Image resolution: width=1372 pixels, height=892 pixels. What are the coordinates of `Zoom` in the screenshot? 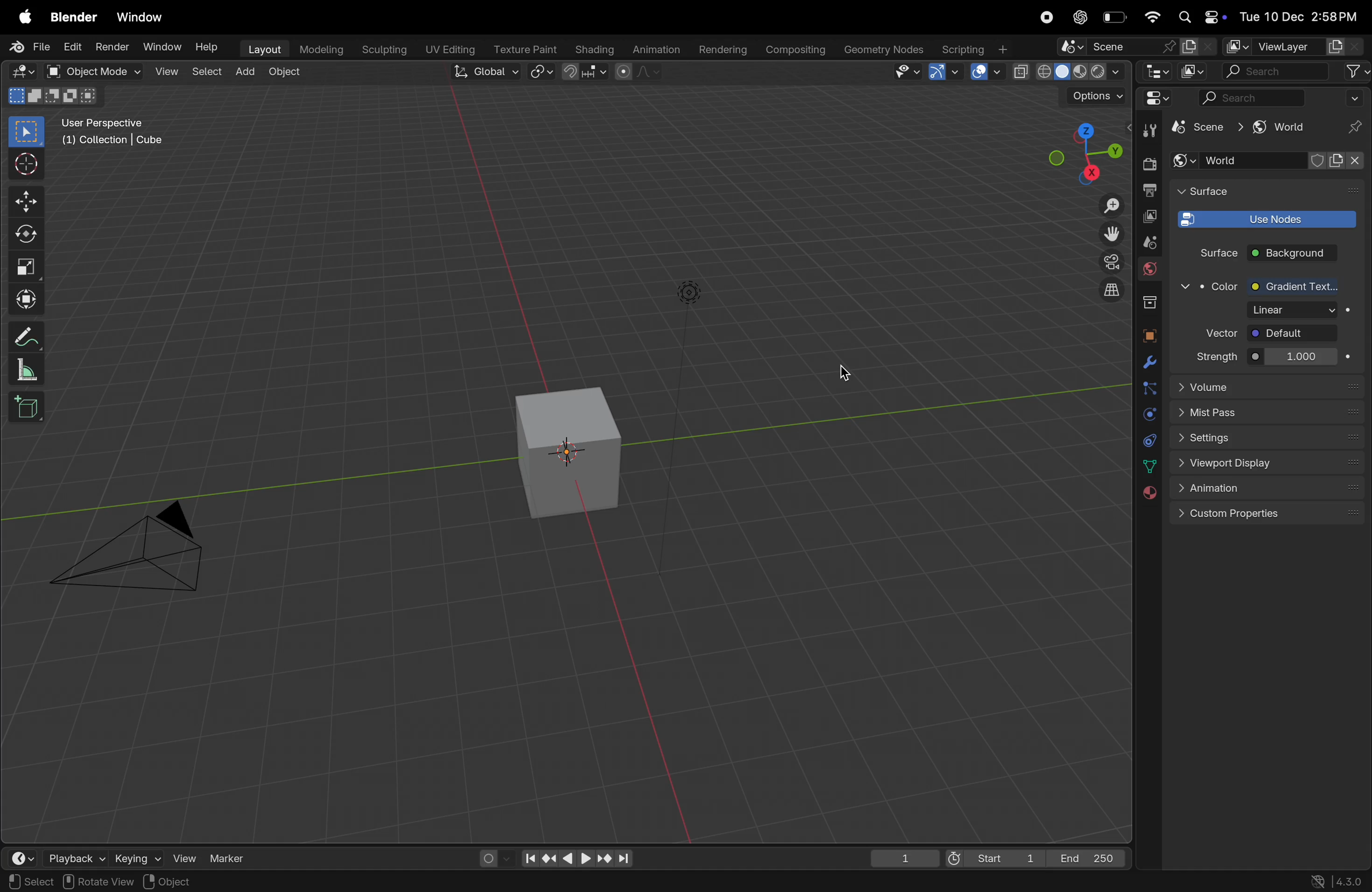 It's located at (1109, 207).